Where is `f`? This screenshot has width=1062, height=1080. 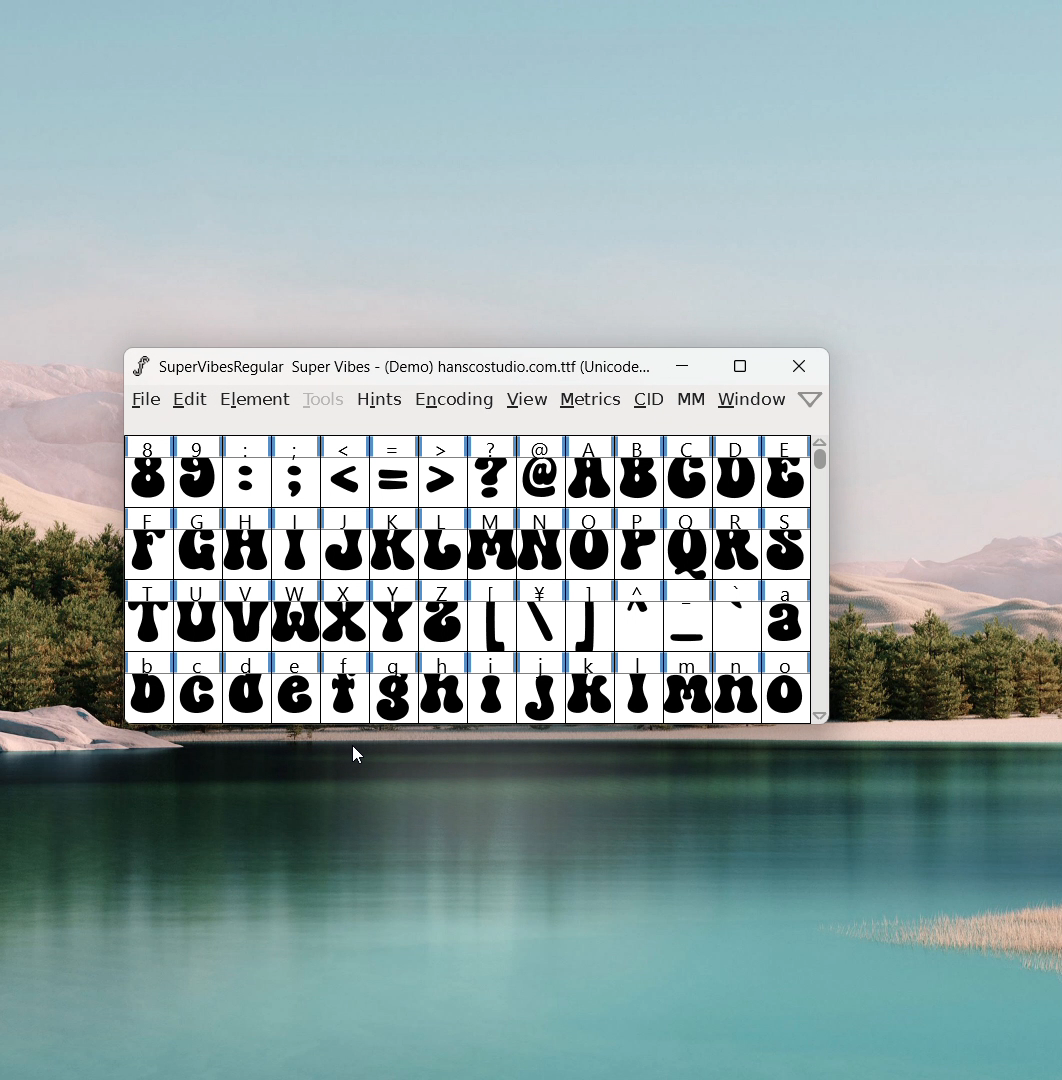
f is located at coordinates (345, 689).